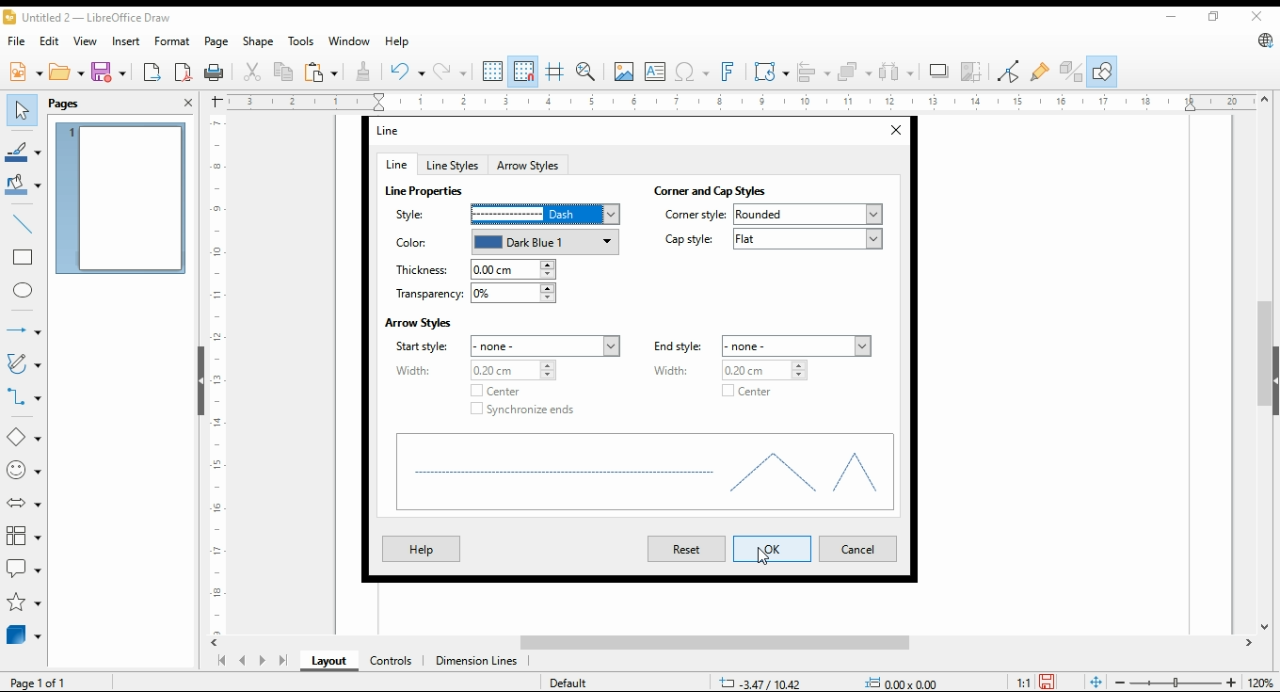  What do you see at coordinates (285, 71) in the screenshot?
I see `copy` at bounding box center [285, 71].